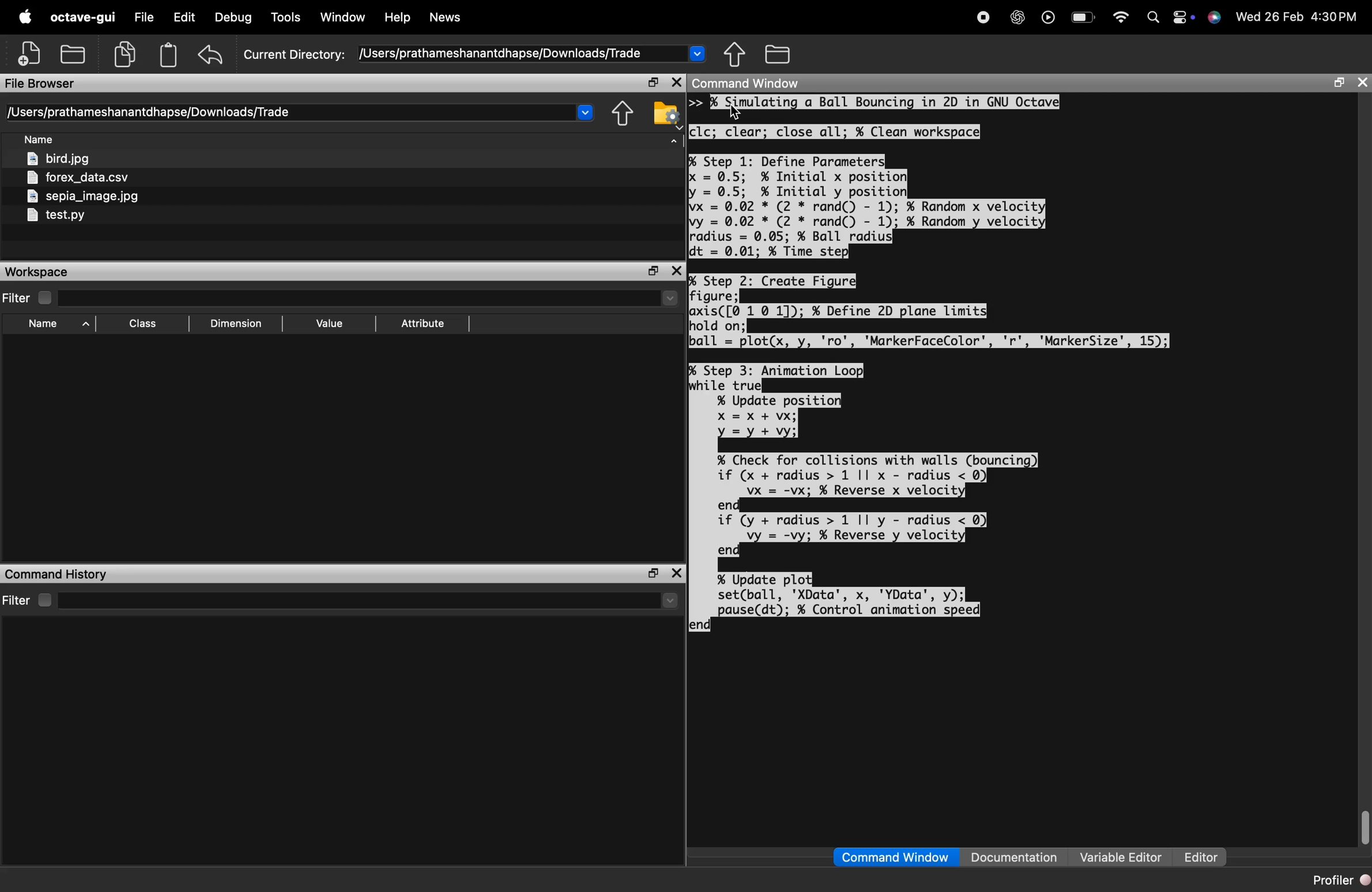 The image size is (1372, 892). What do you see at coordinates (168, 54) in the screenshot?
I see `Clipboard ` at bounding box center [168, 54].